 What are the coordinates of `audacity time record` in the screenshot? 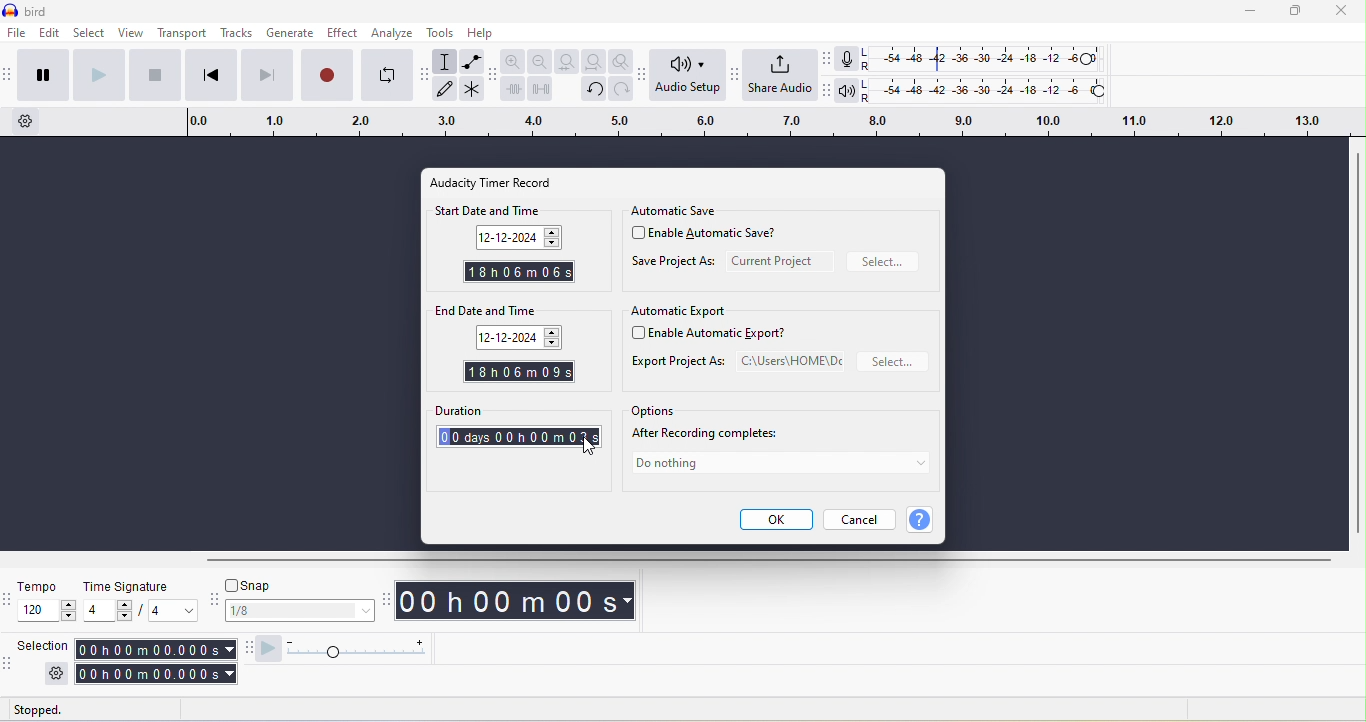 It's located at (502, 182).